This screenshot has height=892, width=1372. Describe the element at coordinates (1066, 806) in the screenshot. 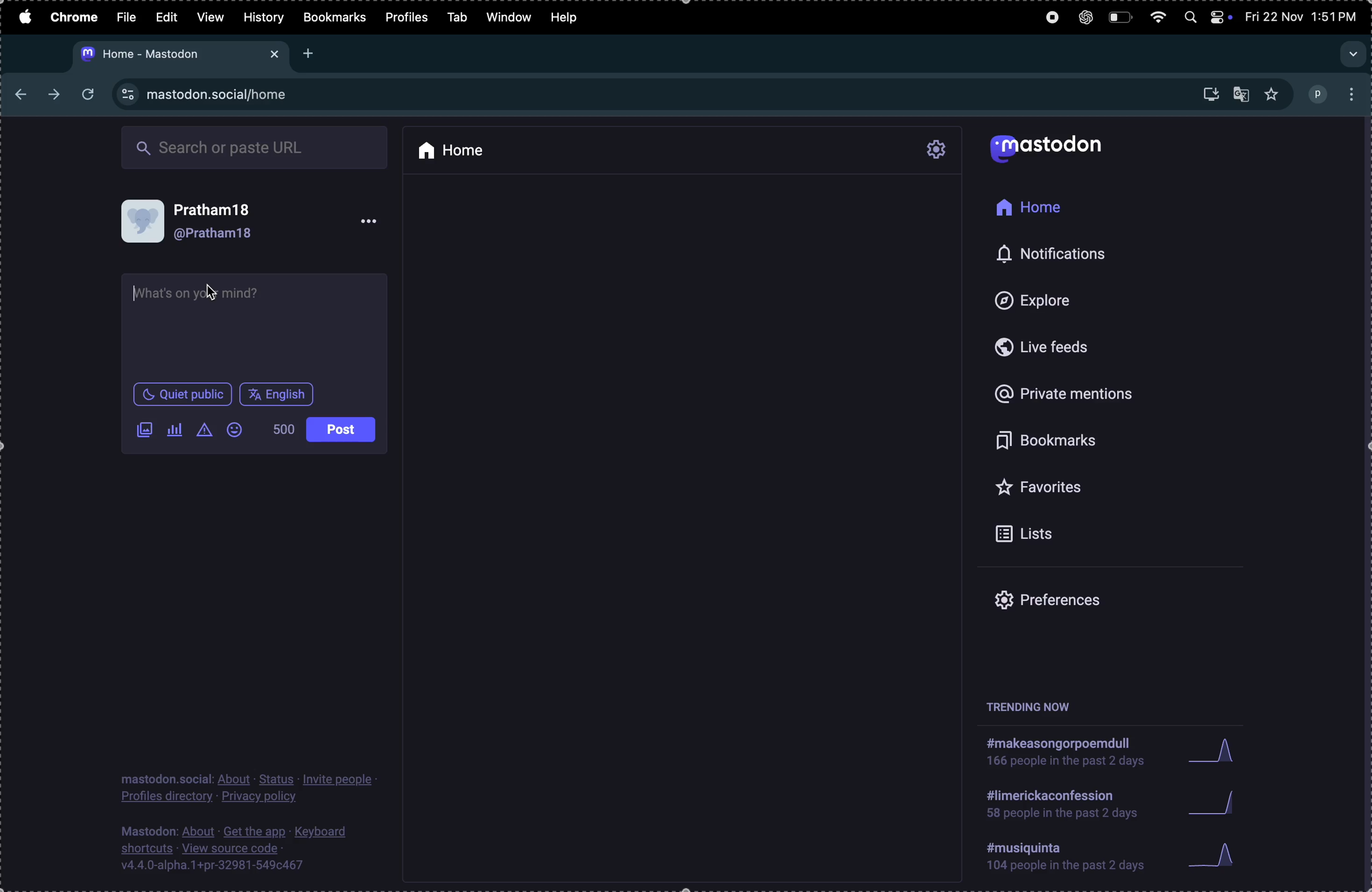

I see `hashtag` at that location.